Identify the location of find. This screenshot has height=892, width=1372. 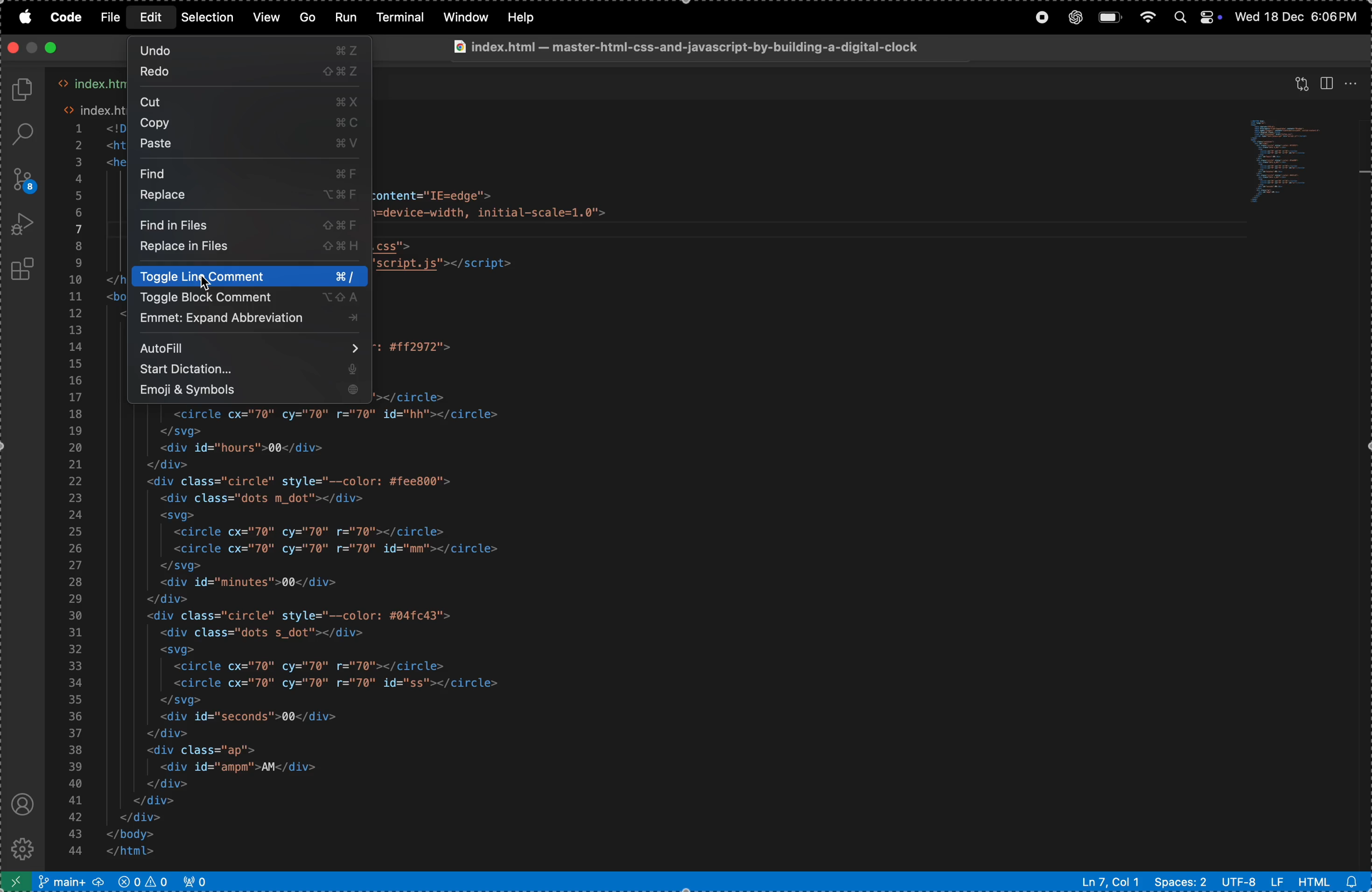
(250, 173).